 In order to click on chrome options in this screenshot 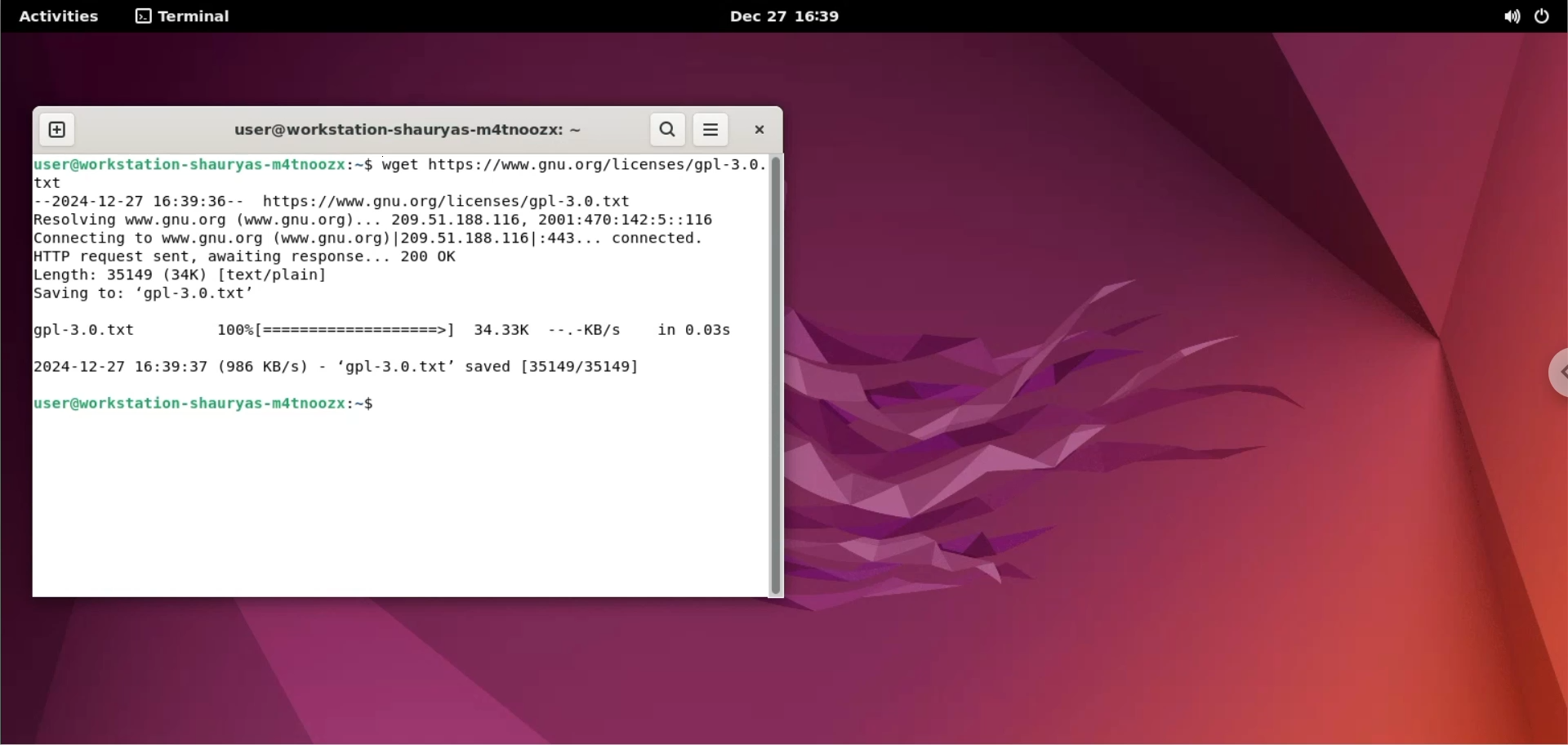, I will do `click(1558, 373)`.